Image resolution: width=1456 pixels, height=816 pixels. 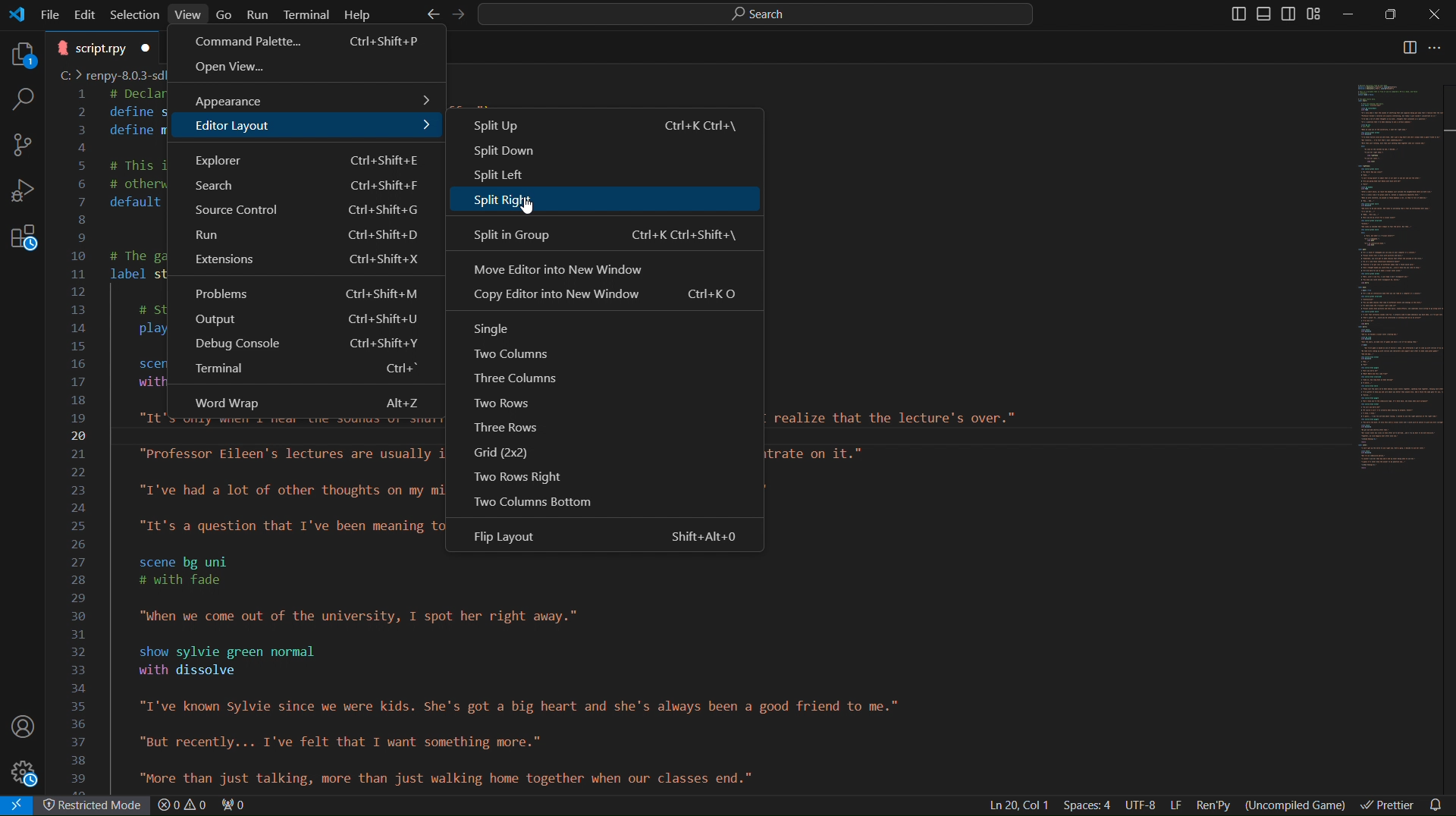 What do you see at coordinates (1291, 14) in the screenshot?
I see `Toggle Secondary Sidebar` at bounding box center [1291, 14].